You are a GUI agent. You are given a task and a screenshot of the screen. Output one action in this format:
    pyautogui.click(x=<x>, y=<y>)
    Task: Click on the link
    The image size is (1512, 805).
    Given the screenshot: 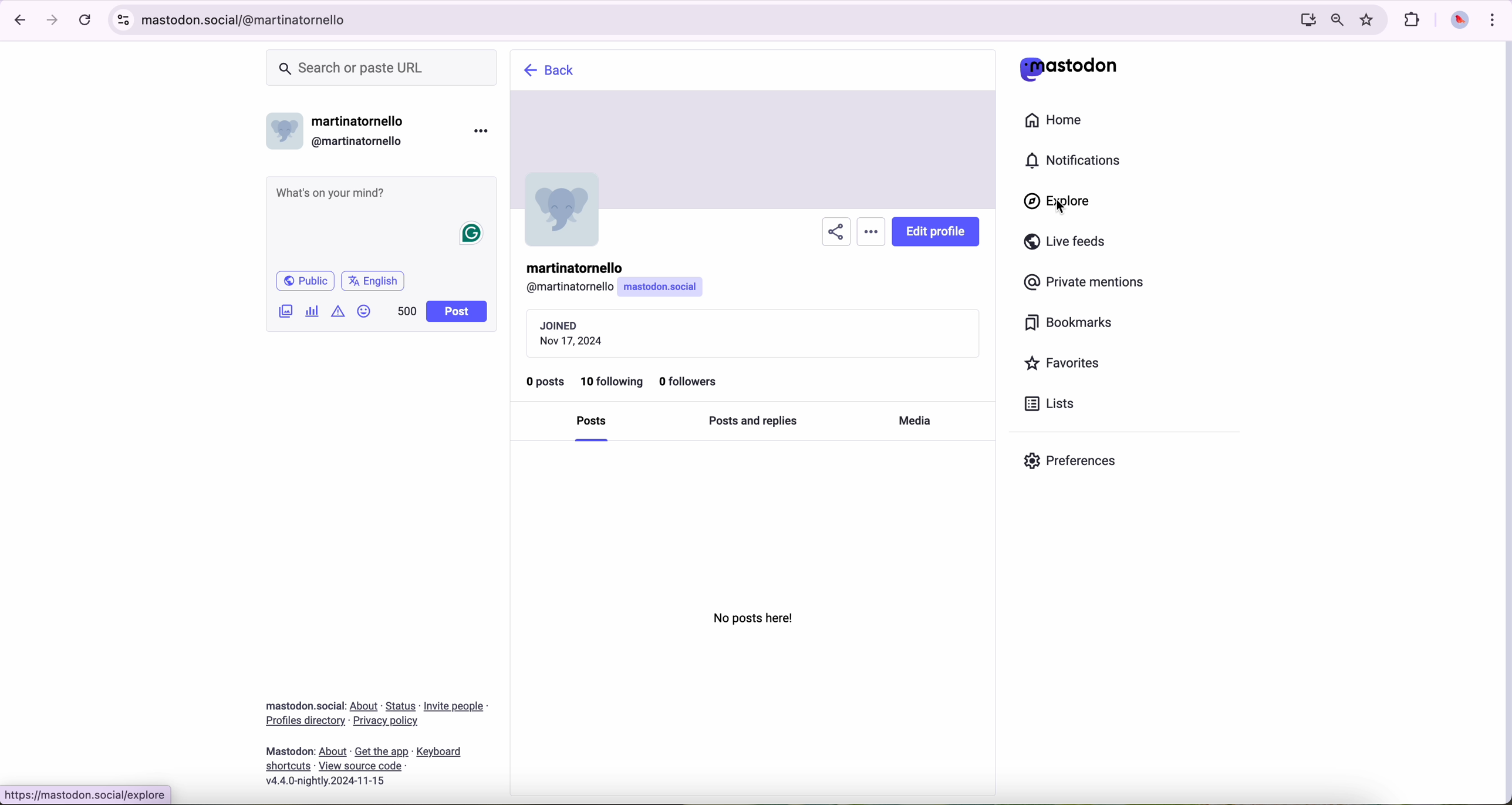 What is the action you would take?
    pyautogui.click(x=455, y=708)
    